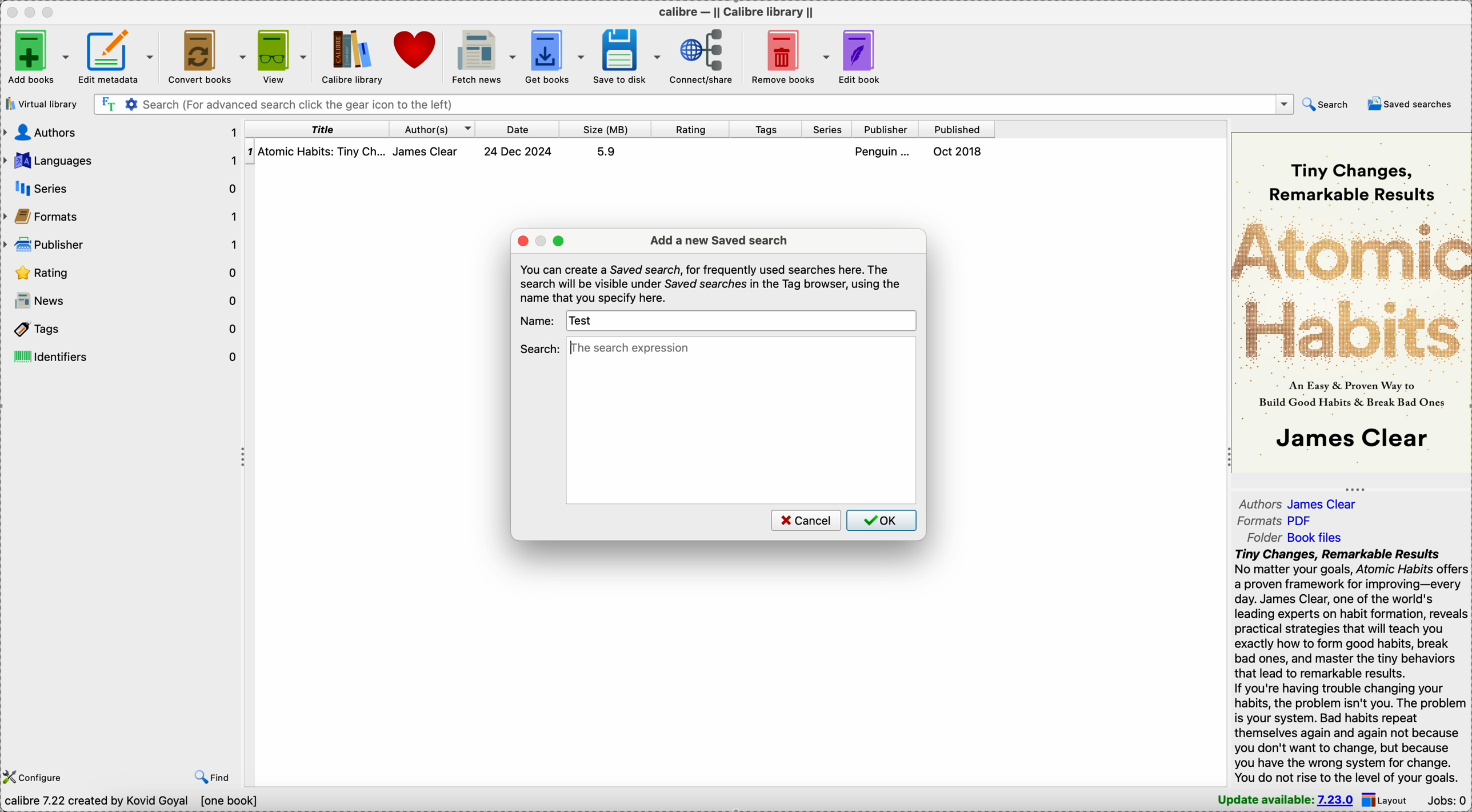 The height and width of the screenshot is (812, 1472). I want to click on name:, so click(538, 320).